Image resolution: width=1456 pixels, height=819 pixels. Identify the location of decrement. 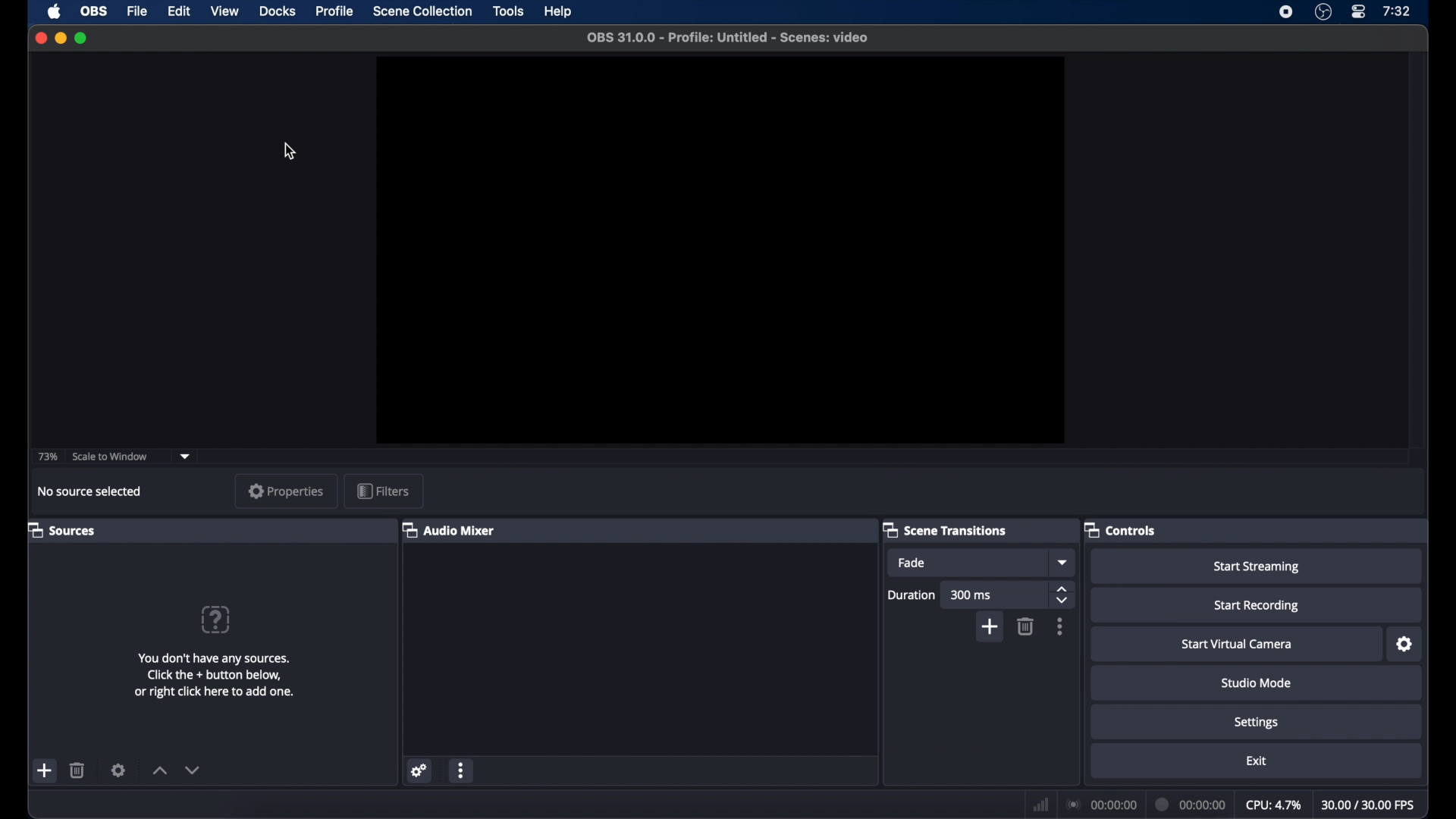
(193, 770).